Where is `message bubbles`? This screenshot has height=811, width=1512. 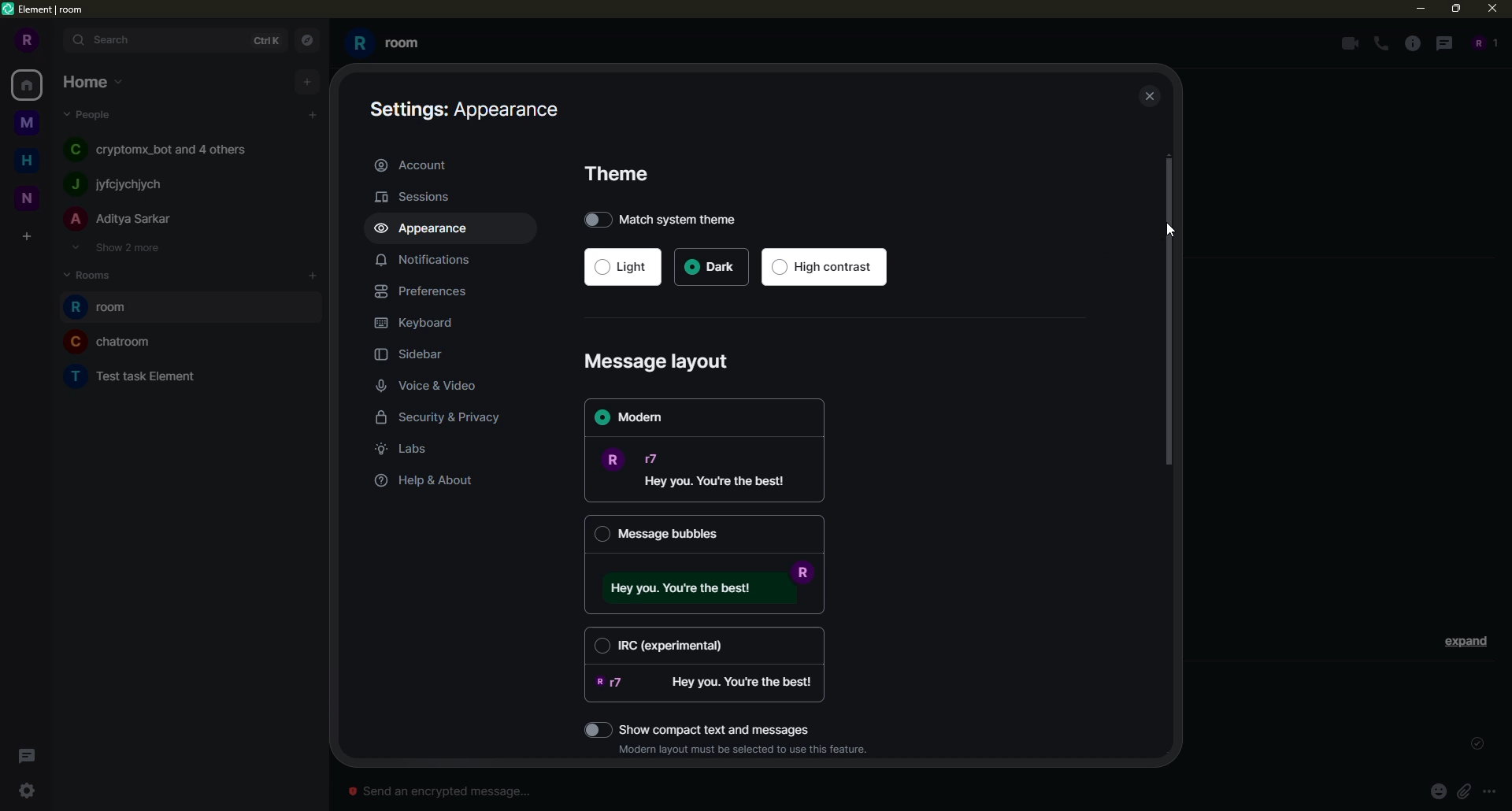
message bubbles is located at coordinates (660, 532).